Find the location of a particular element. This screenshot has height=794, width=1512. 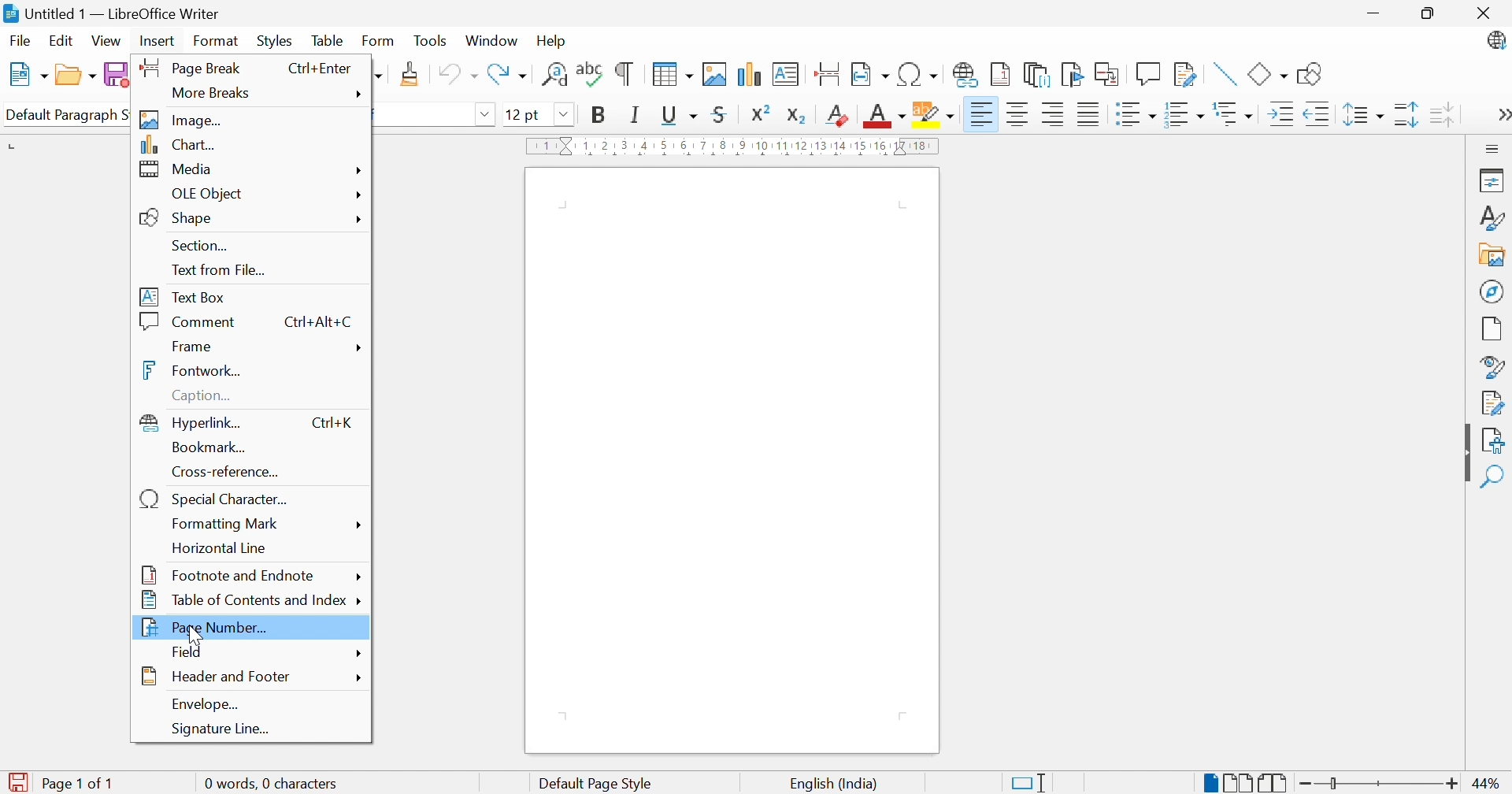

Close is located at coordinates (1484, 14).